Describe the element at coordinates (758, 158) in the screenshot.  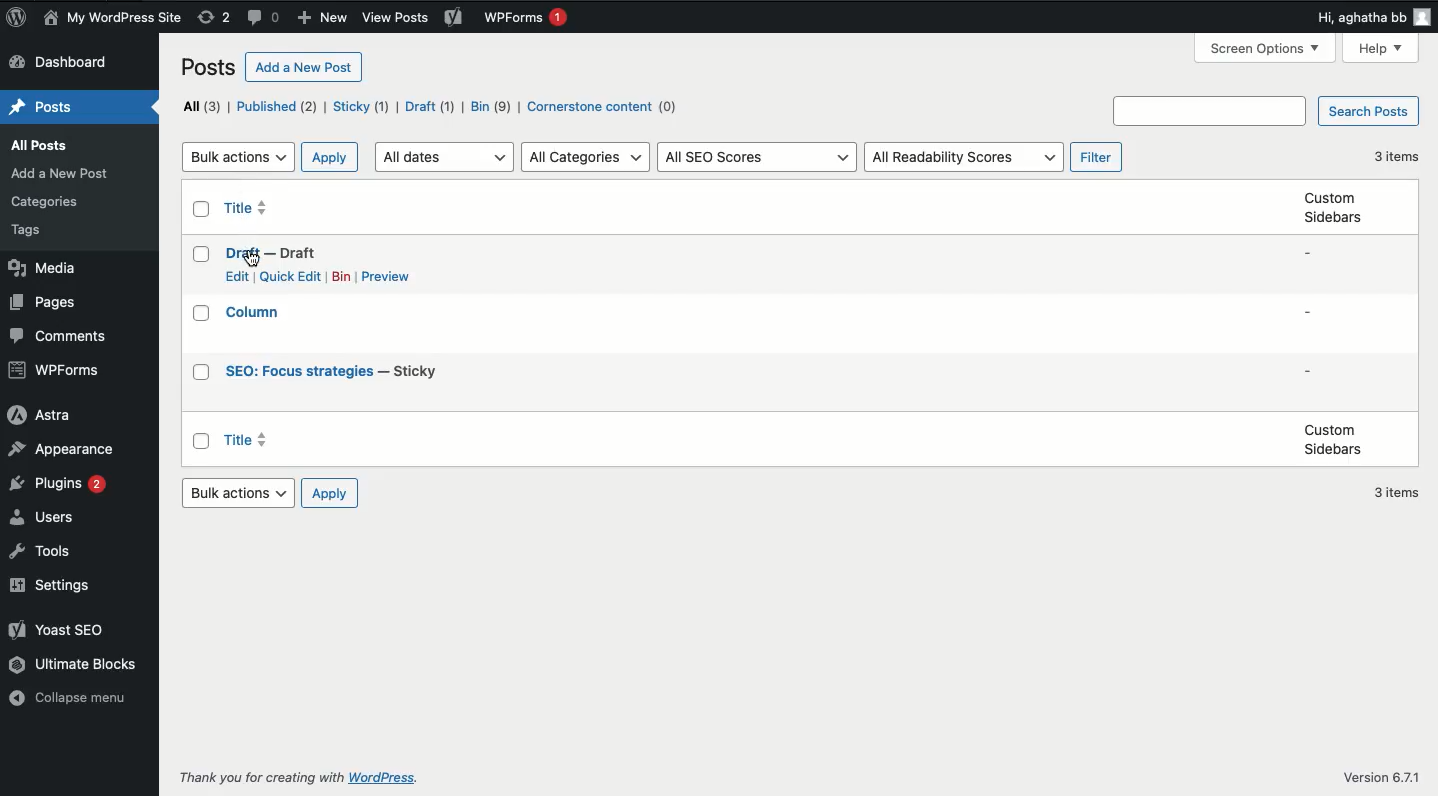
I see `All SEO scores` at that location.